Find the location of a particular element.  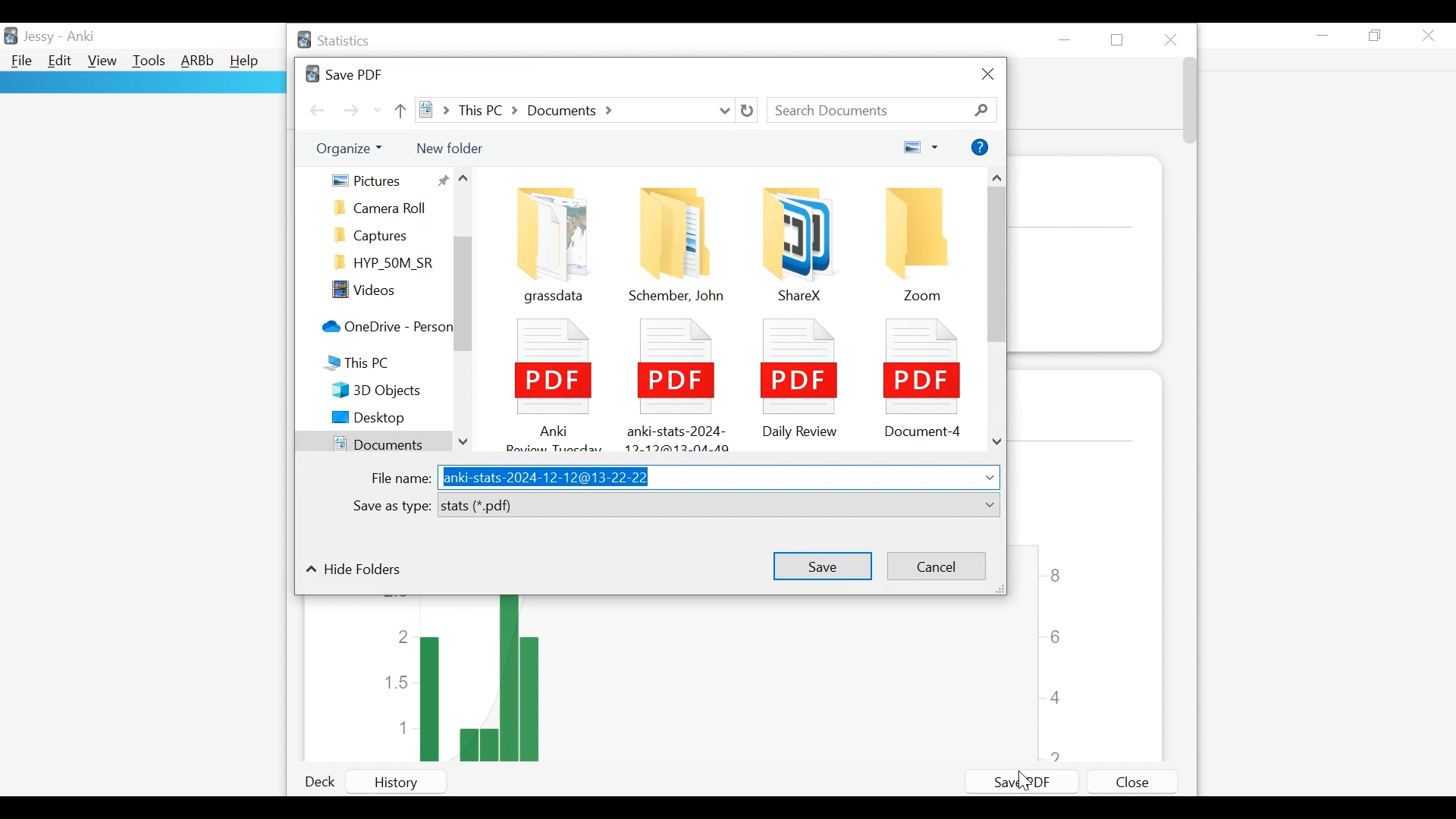

Save as type is located at coordinates (390, 507).